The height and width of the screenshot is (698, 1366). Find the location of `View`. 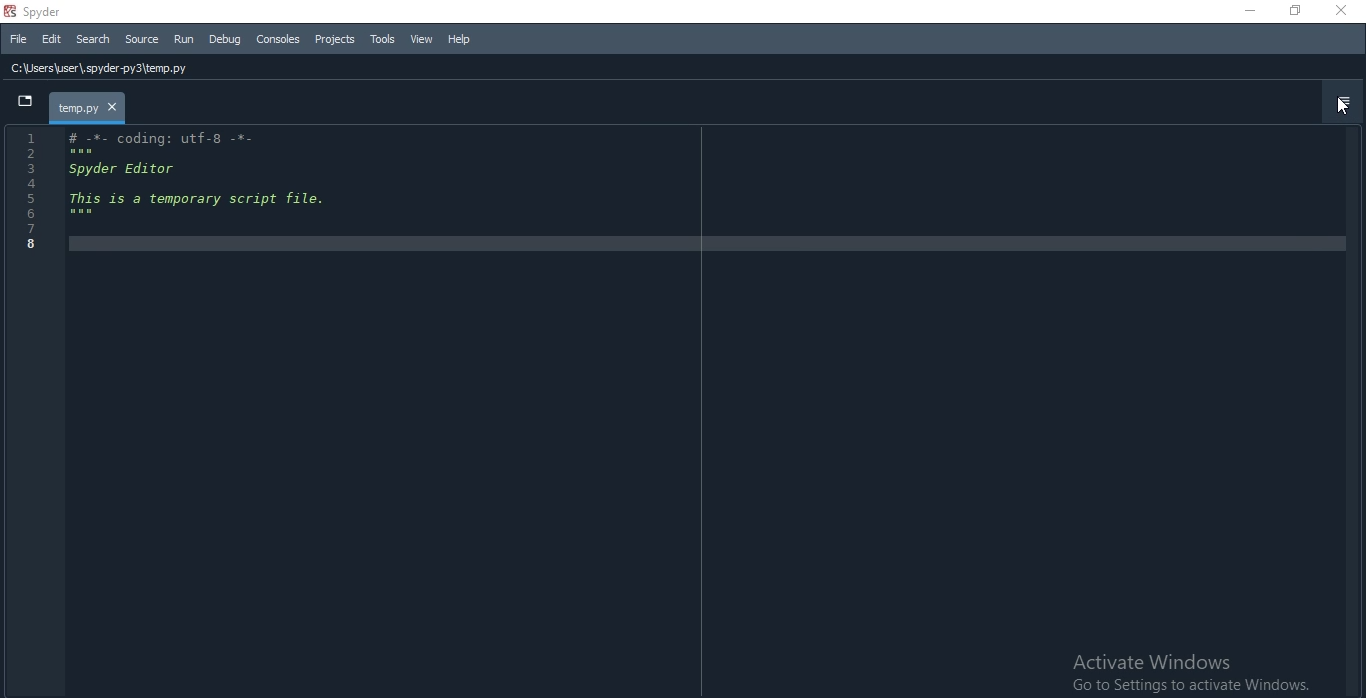

View is located at coordinates (422, 40).